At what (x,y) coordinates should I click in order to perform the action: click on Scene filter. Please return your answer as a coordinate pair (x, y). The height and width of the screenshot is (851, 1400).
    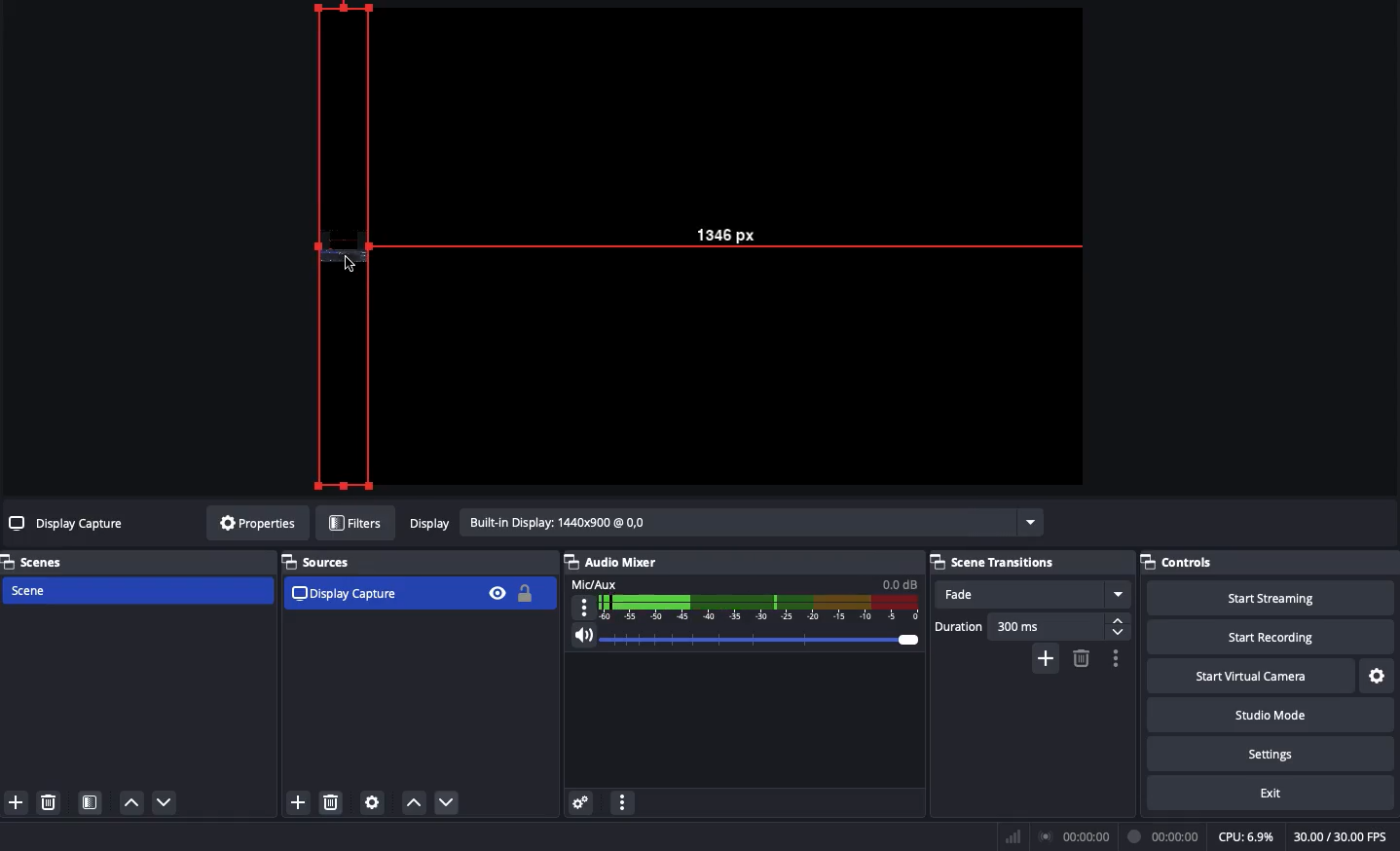
    Looking at the image, I should click on (91, 804).